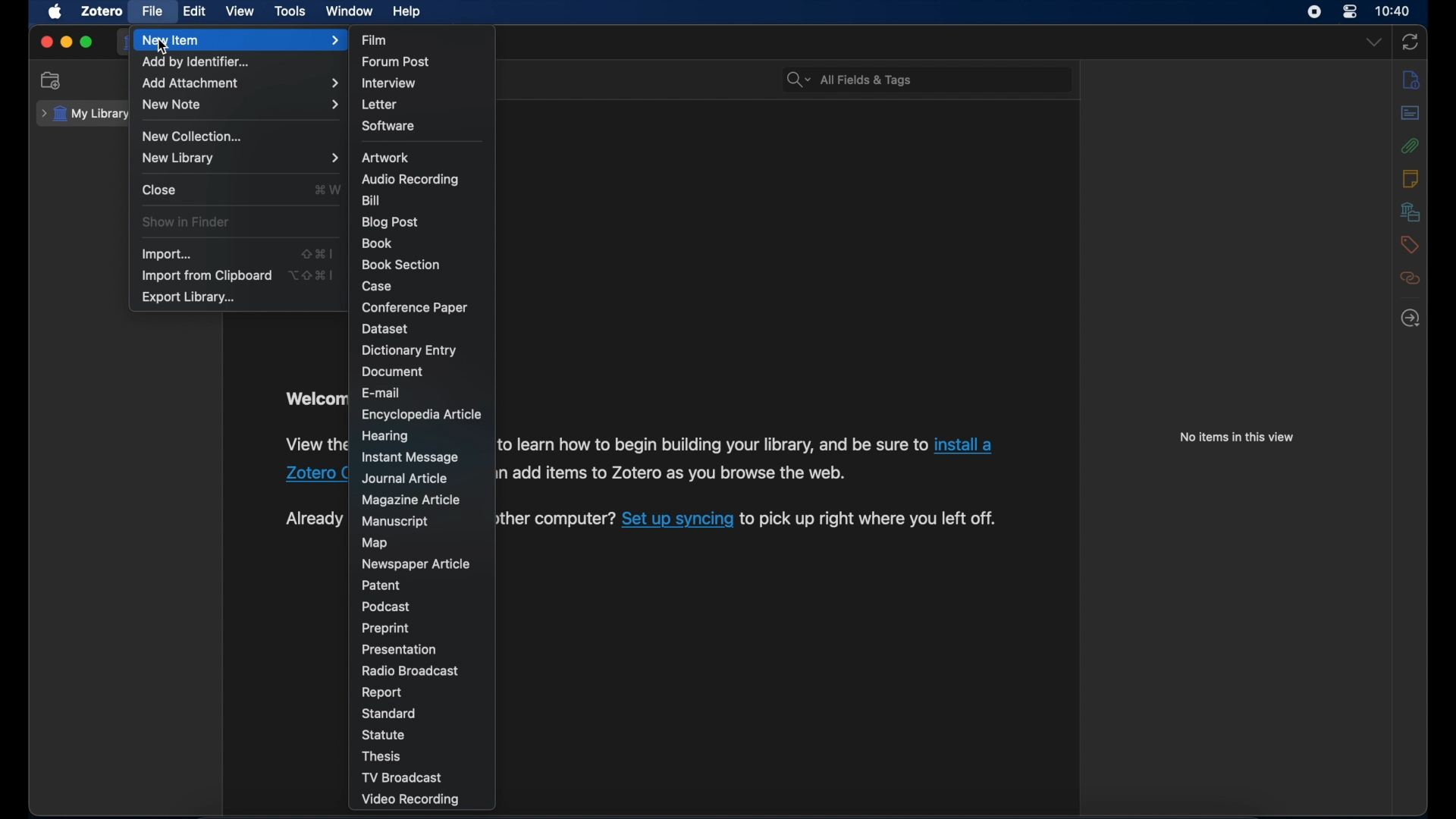 The image size is (1456, 819). I want to click on standard, so click(391, 714).